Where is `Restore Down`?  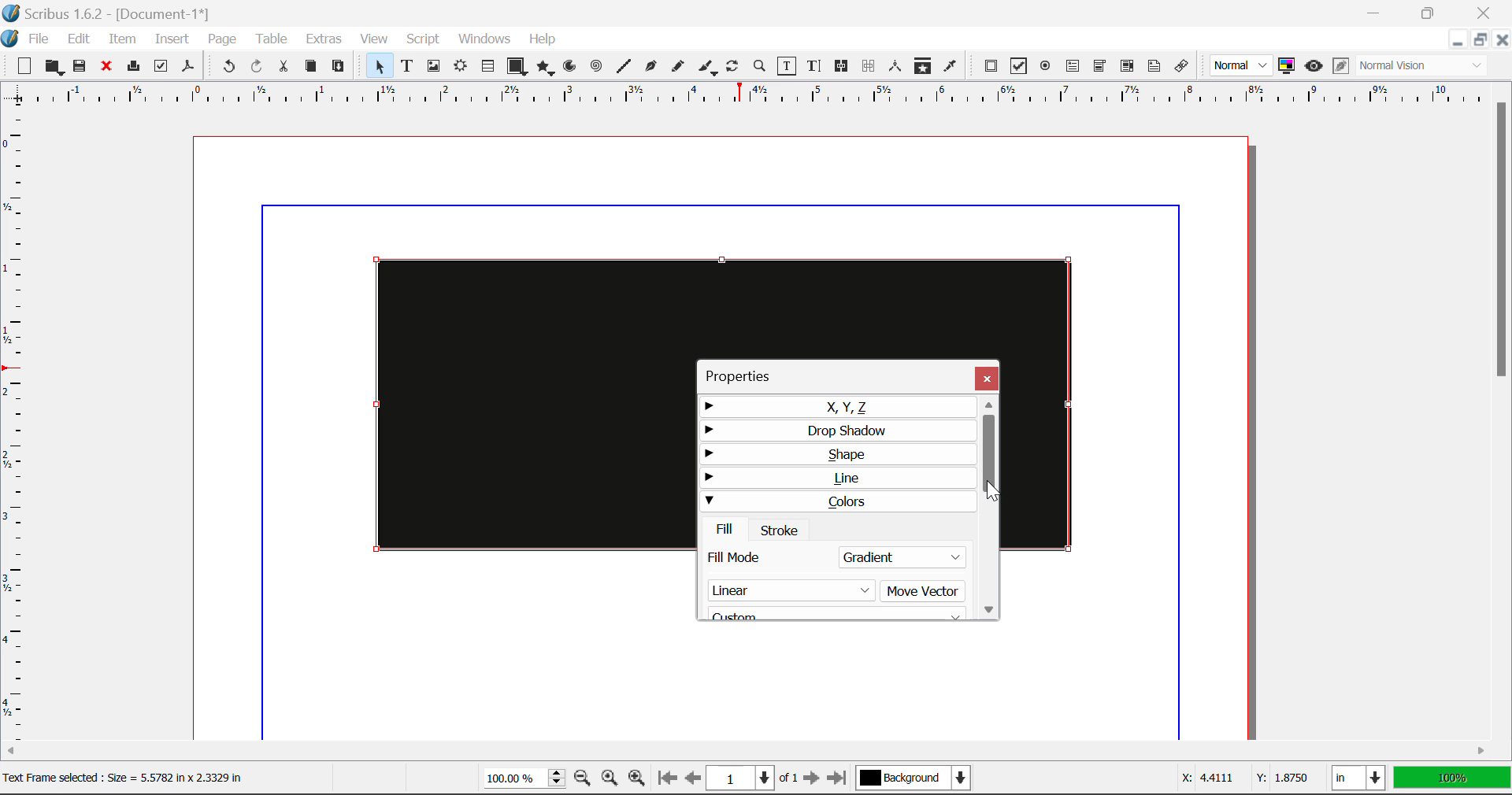
Restore Down is located at coordinates (1456, 40).